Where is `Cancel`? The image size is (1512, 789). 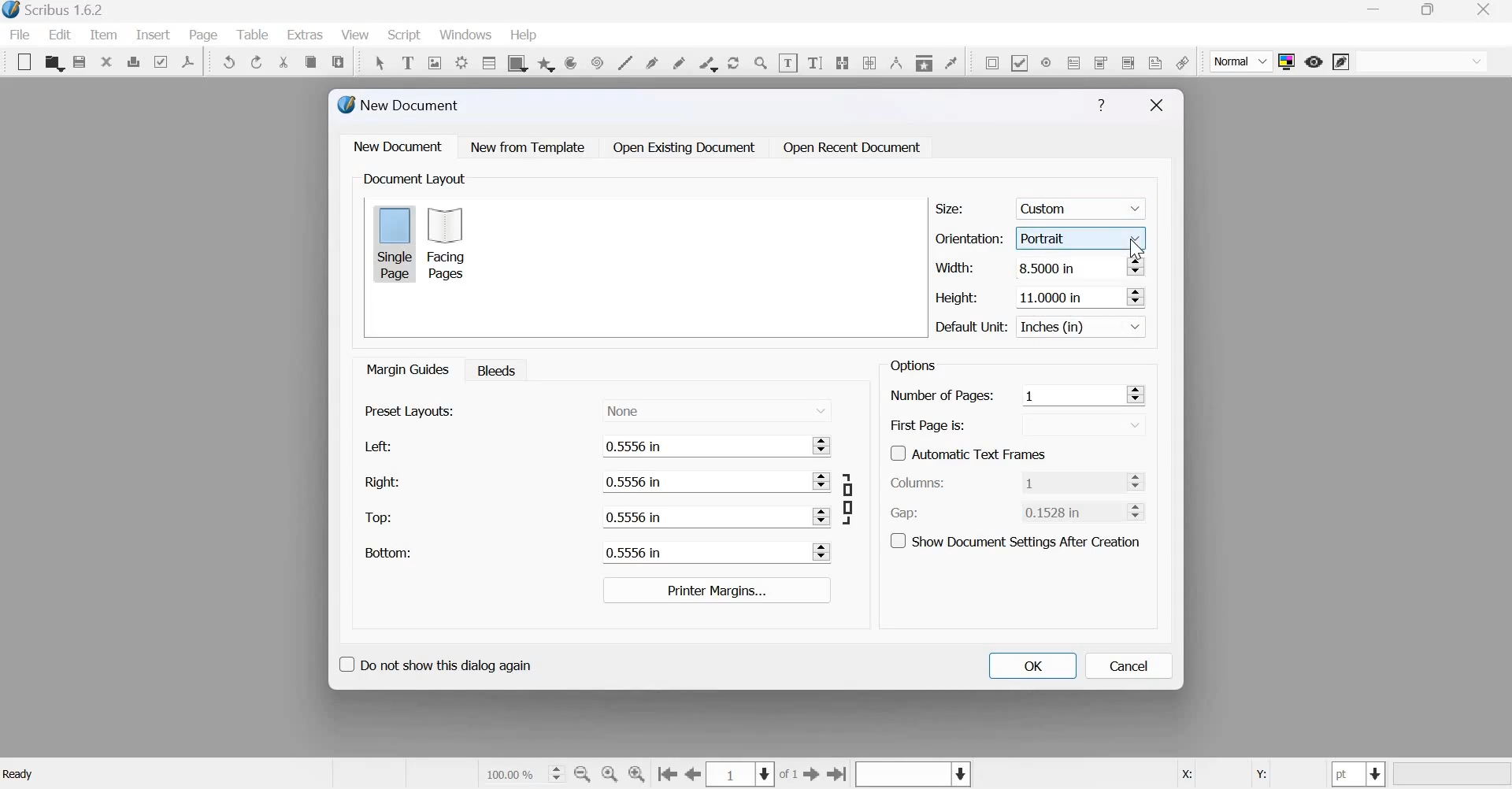
Cancel is located at coordinates (1129, 666).